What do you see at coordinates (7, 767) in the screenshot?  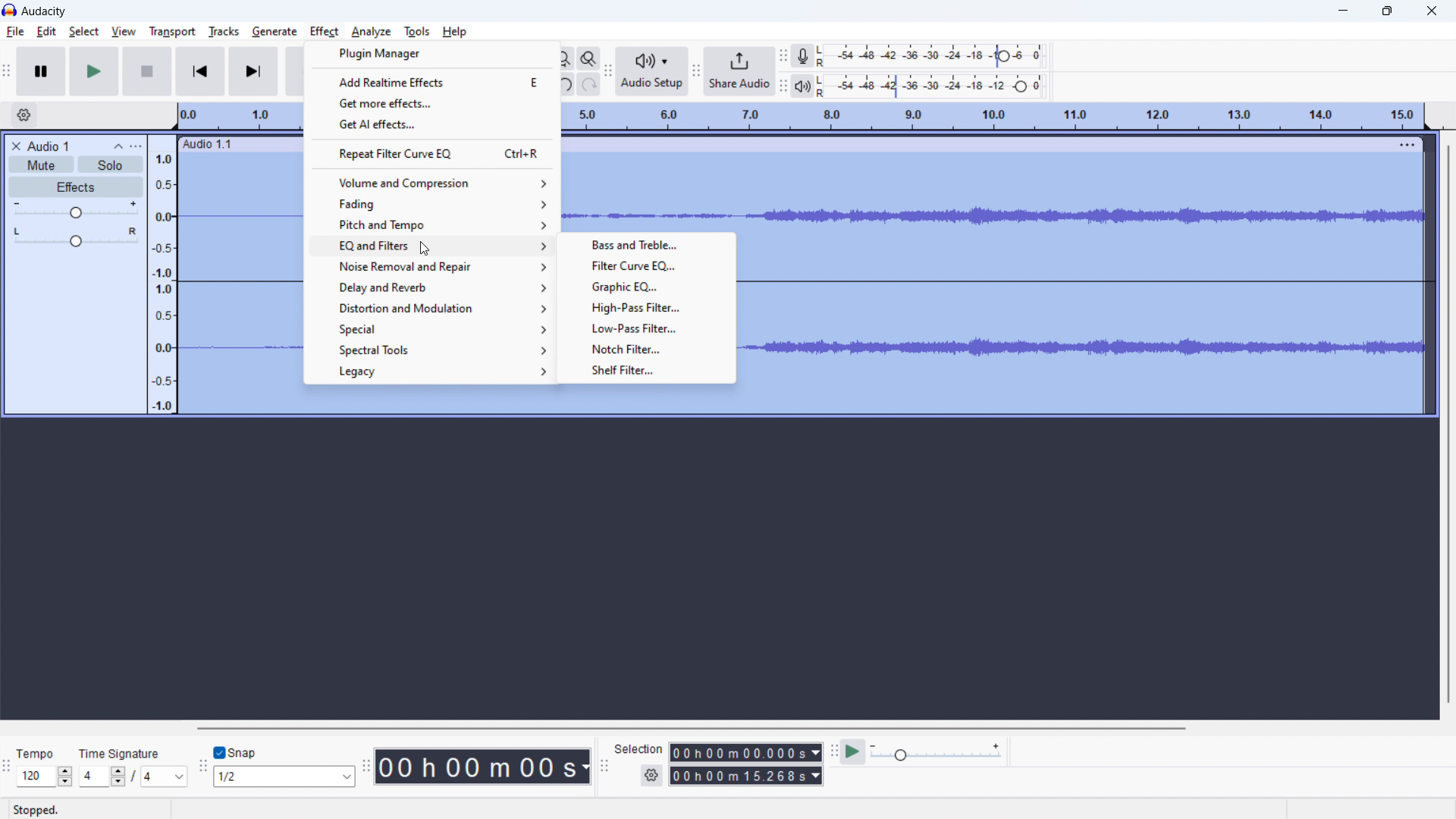 I see `time signature toolbar` at bounding box center [7, 767].